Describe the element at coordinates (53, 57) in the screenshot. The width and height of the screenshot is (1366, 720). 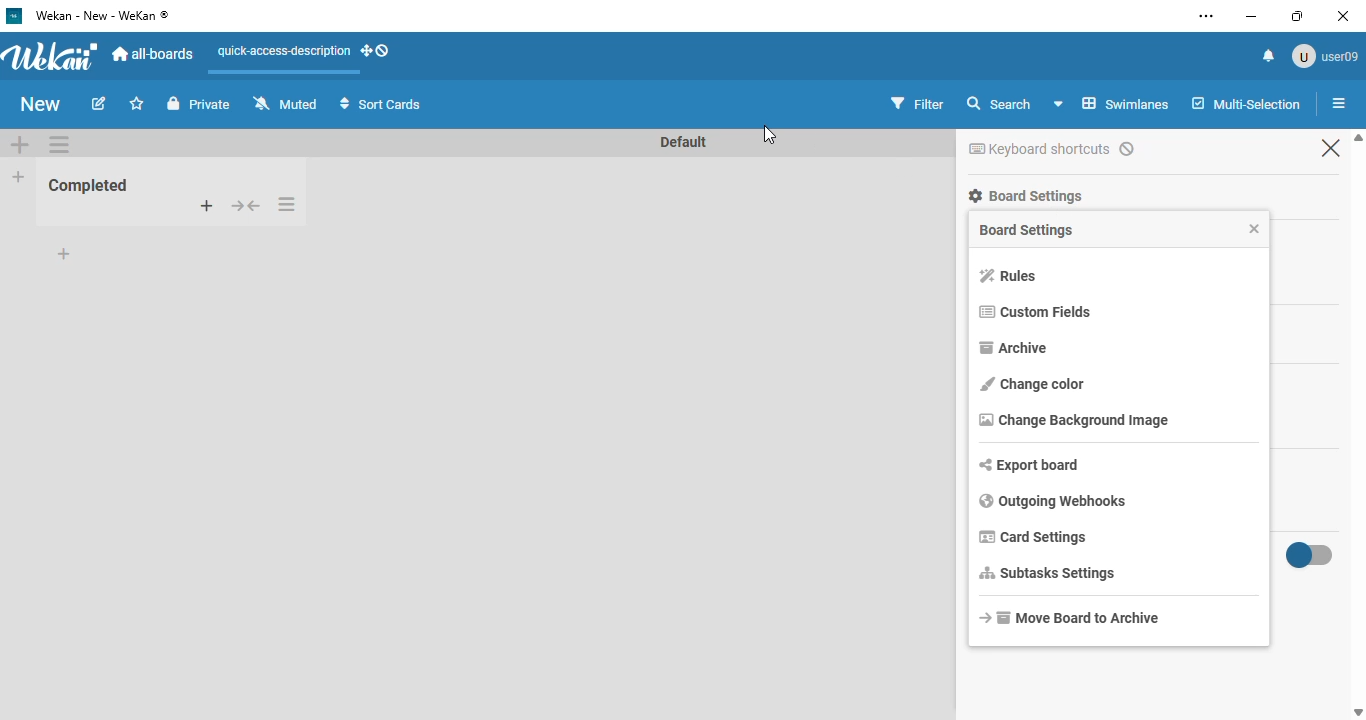
I see `wekan` at that location.